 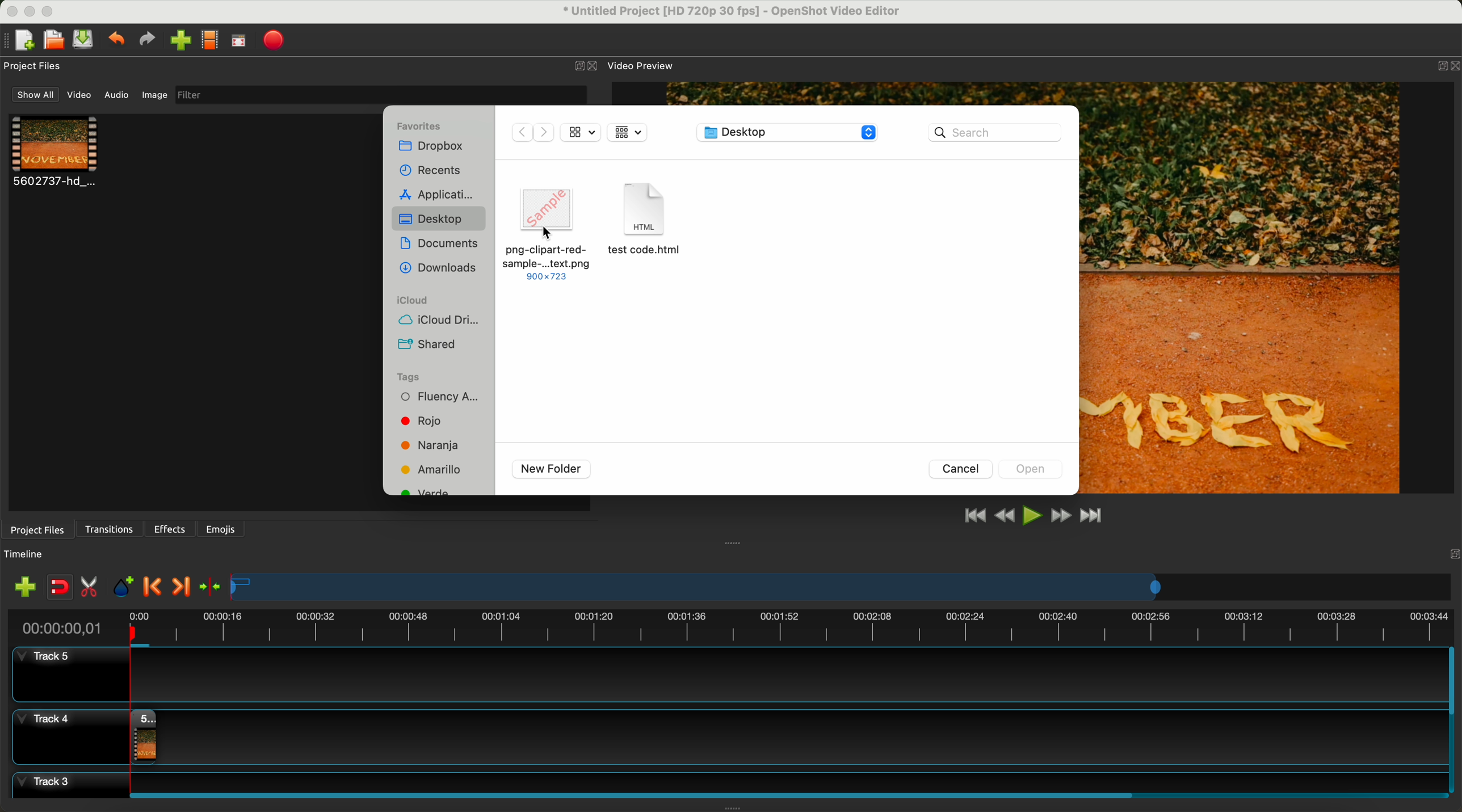 What do you see at coordinates (92, 589) in the screenshot?
I see `enable razor` at bounding box center [92, 589].